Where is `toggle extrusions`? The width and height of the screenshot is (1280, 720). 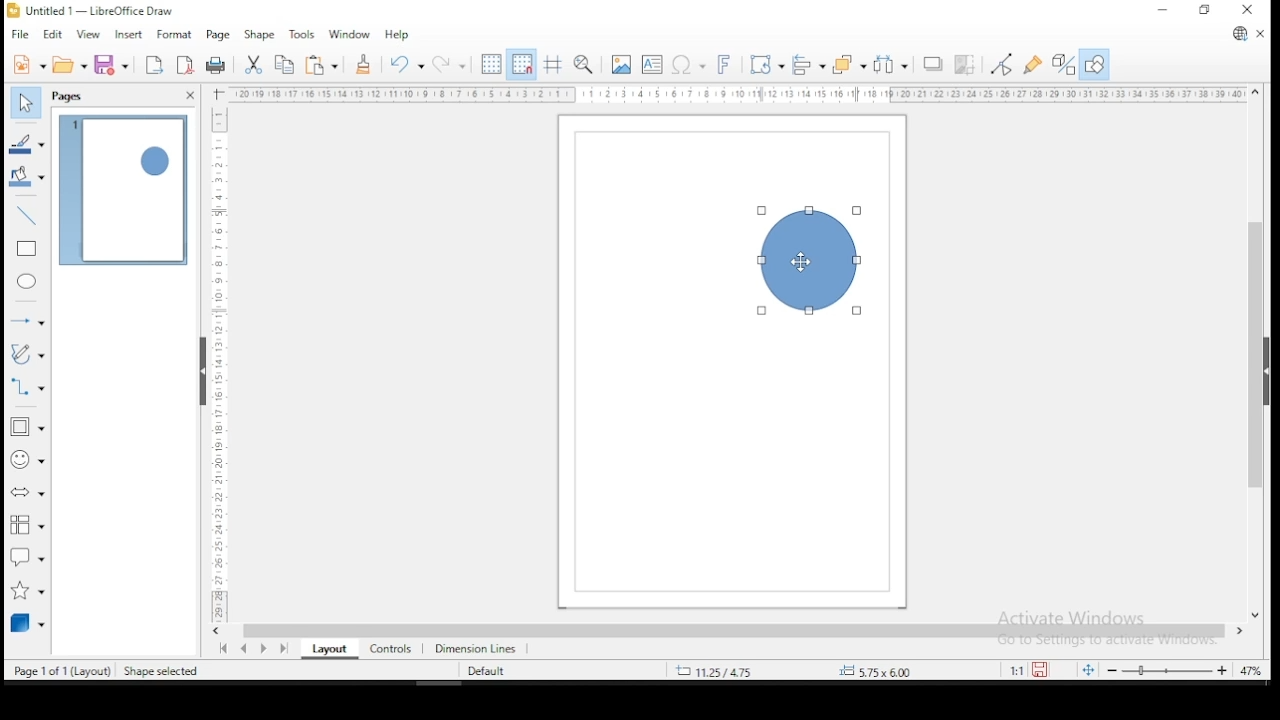
toggle extrusions is located at coordinates (1064, 66).